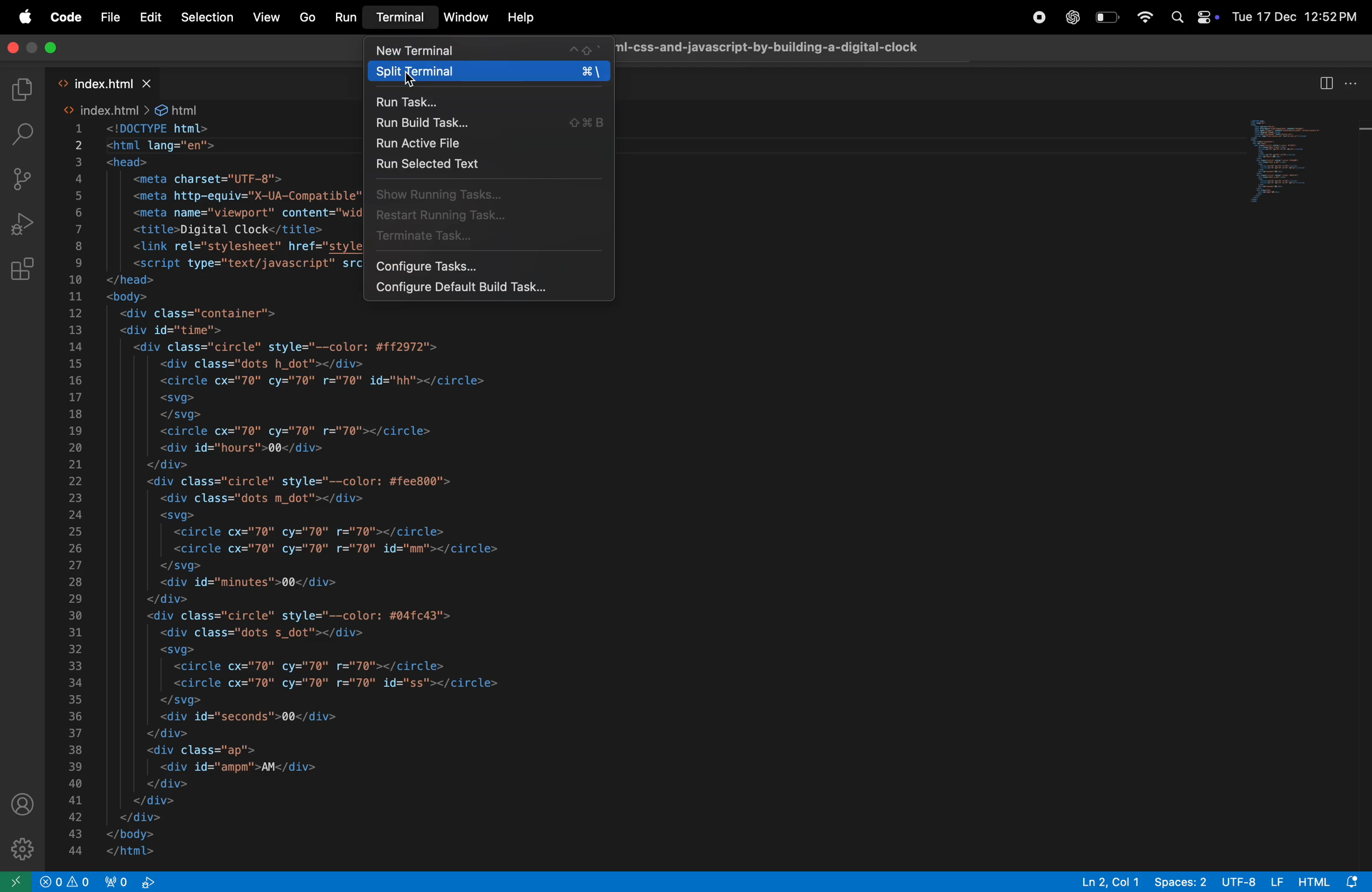 The width and height of the screenshot is (1372, 892). Describe the element at coordinates (493, 195) in the screenshot. I see `Show running tasks` at that location.